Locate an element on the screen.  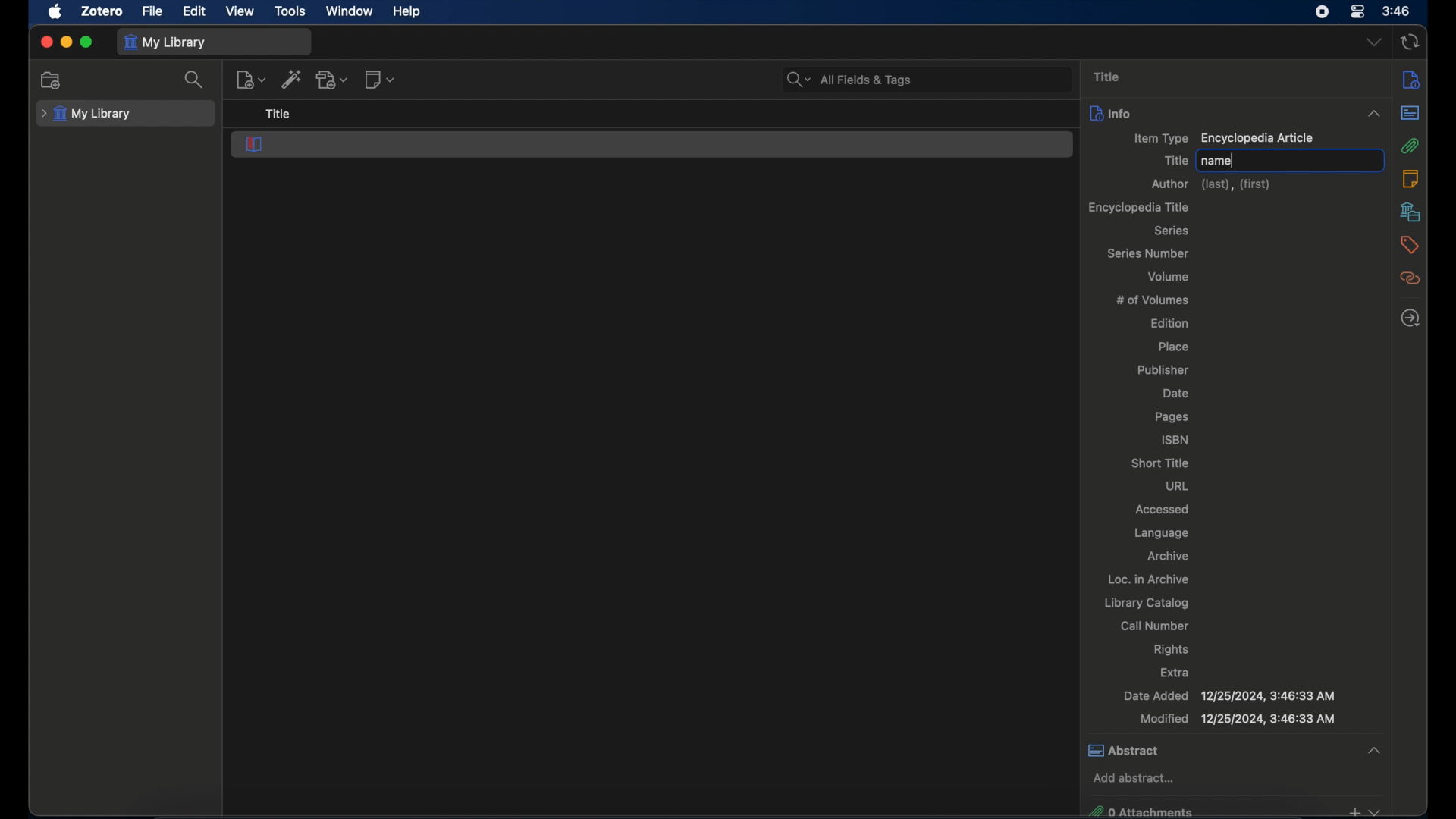
add attachment is located at coordinates (332, 80).